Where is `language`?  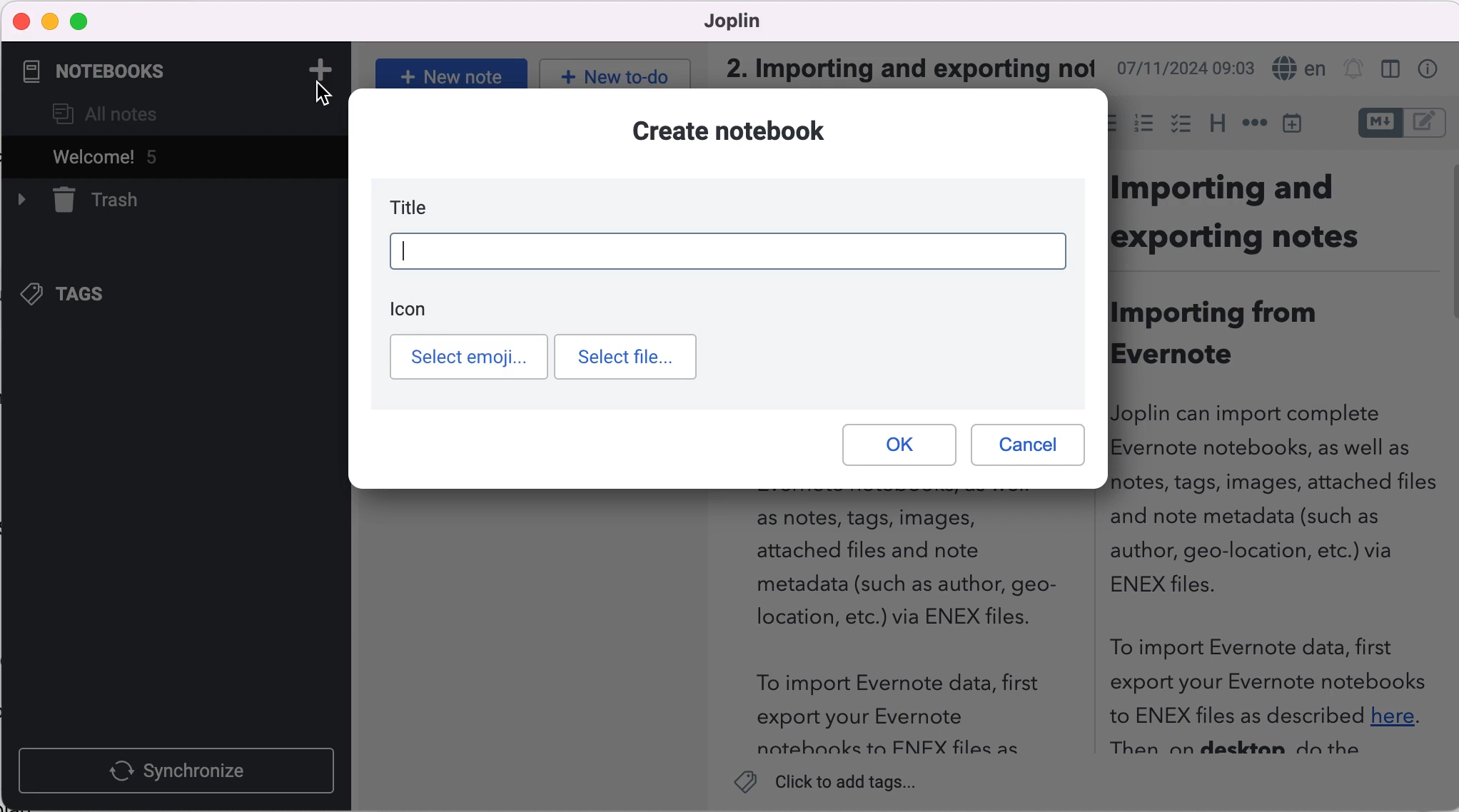
language is located at coordinates (1296, 69).